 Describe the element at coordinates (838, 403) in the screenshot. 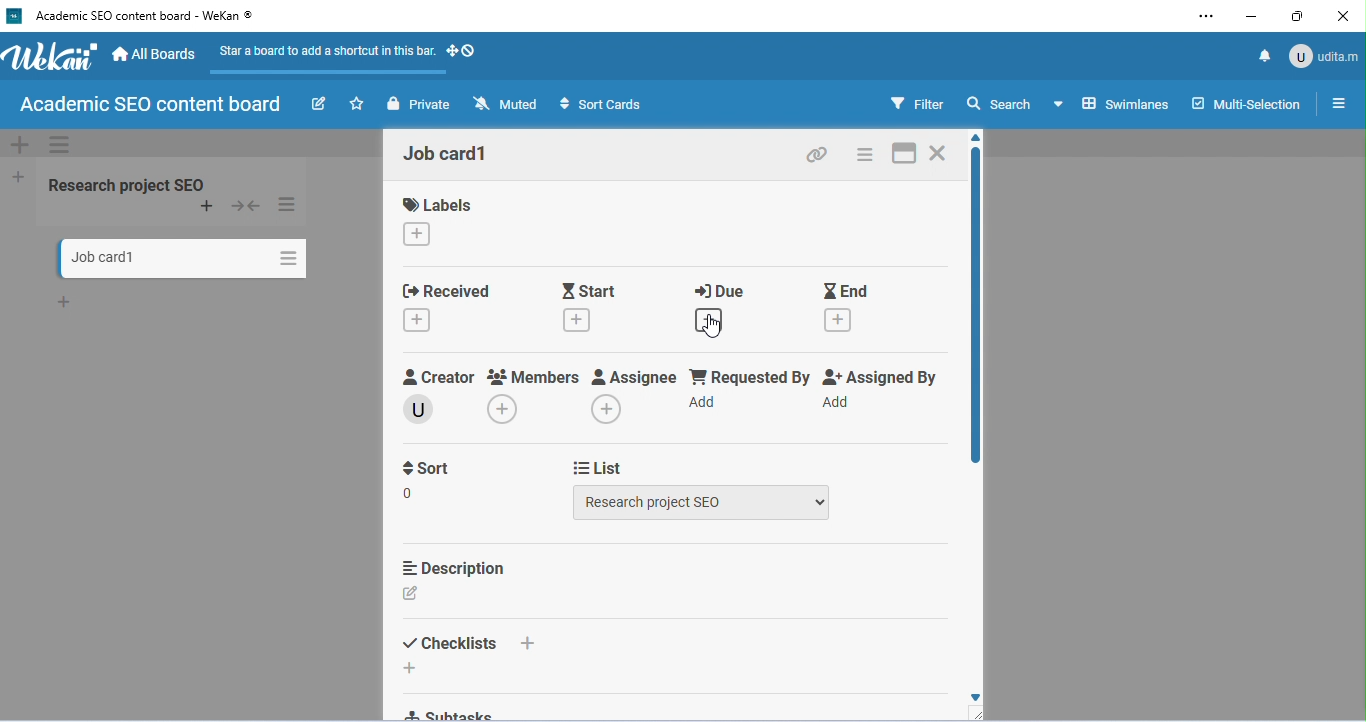

I see `add assigner` at that location.